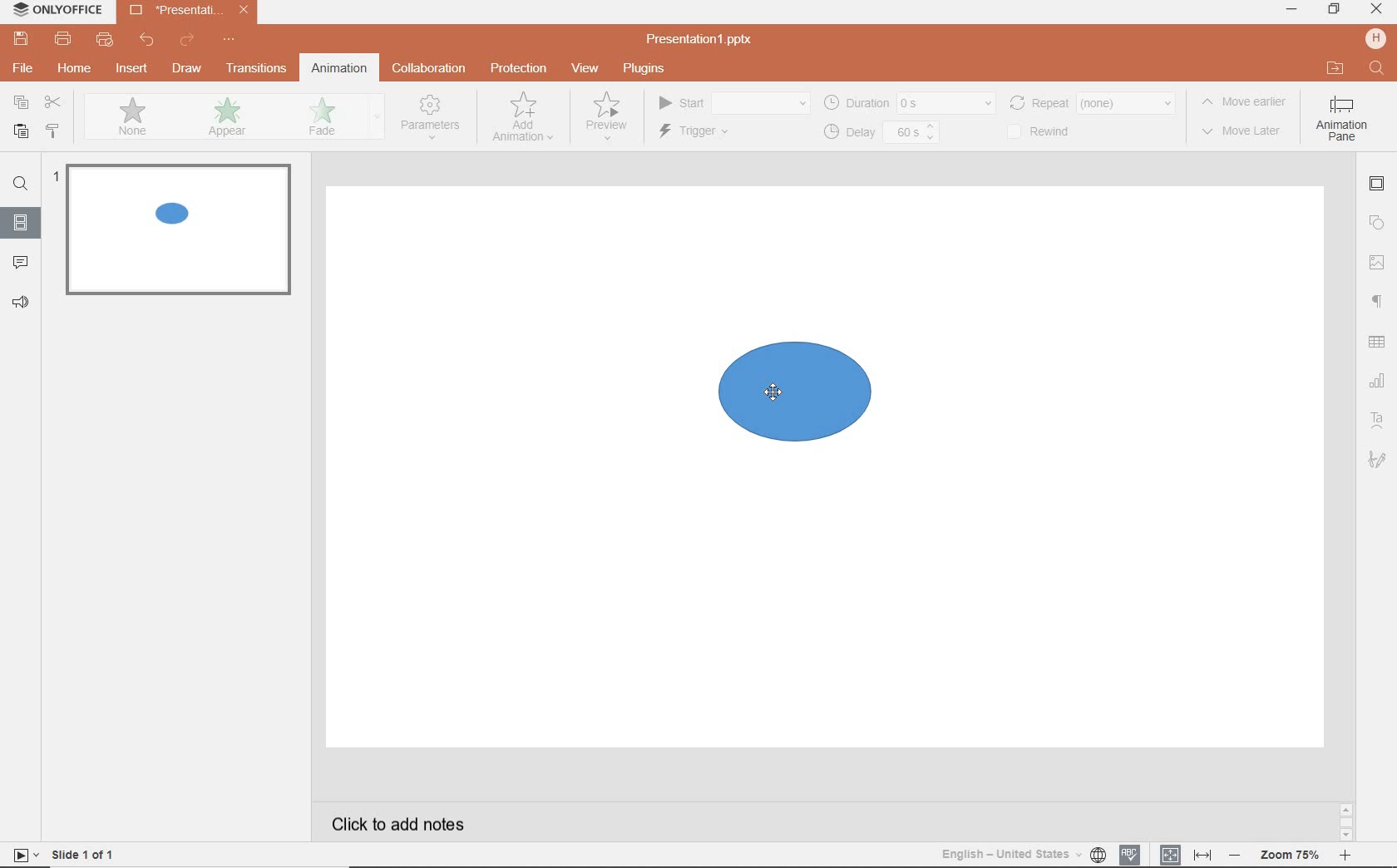  What do you see at coordinates (1375, 9) in the screenshot?
I see `CLOSE` at bounding box center [1375, 9].